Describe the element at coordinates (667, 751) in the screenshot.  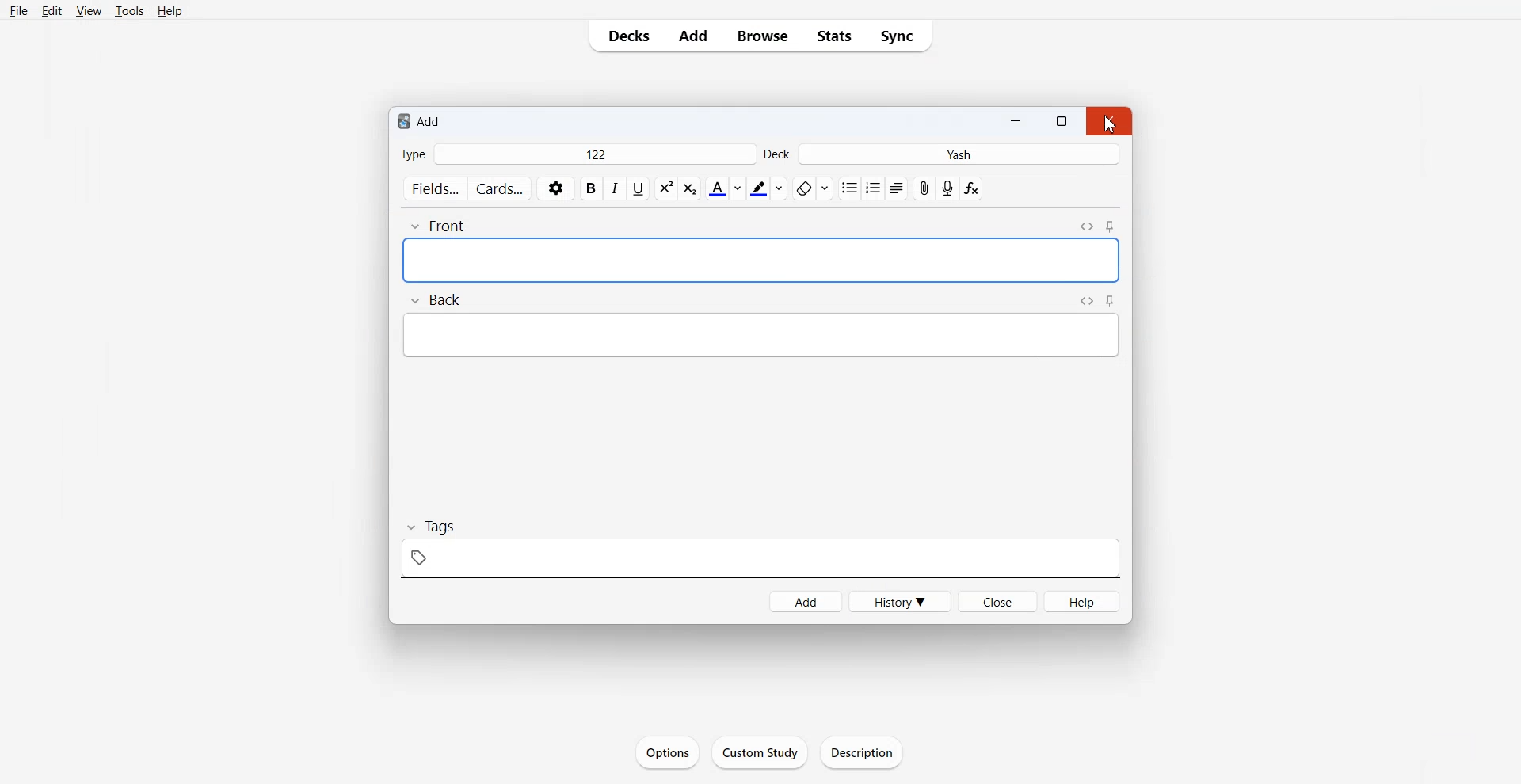
I see `Options` at that location.